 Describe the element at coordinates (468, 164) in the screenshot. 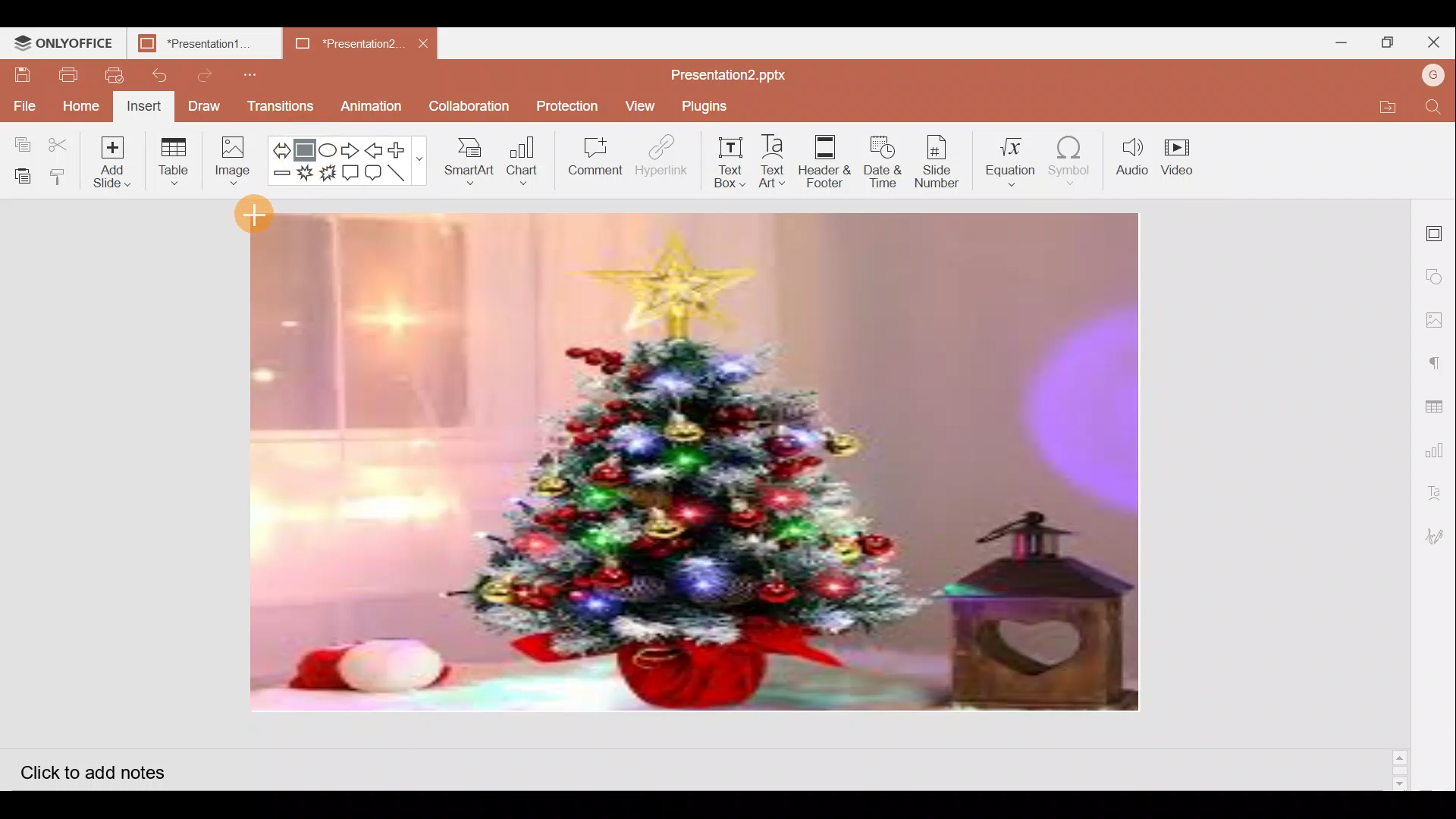

I see `SmartArt` at that location.